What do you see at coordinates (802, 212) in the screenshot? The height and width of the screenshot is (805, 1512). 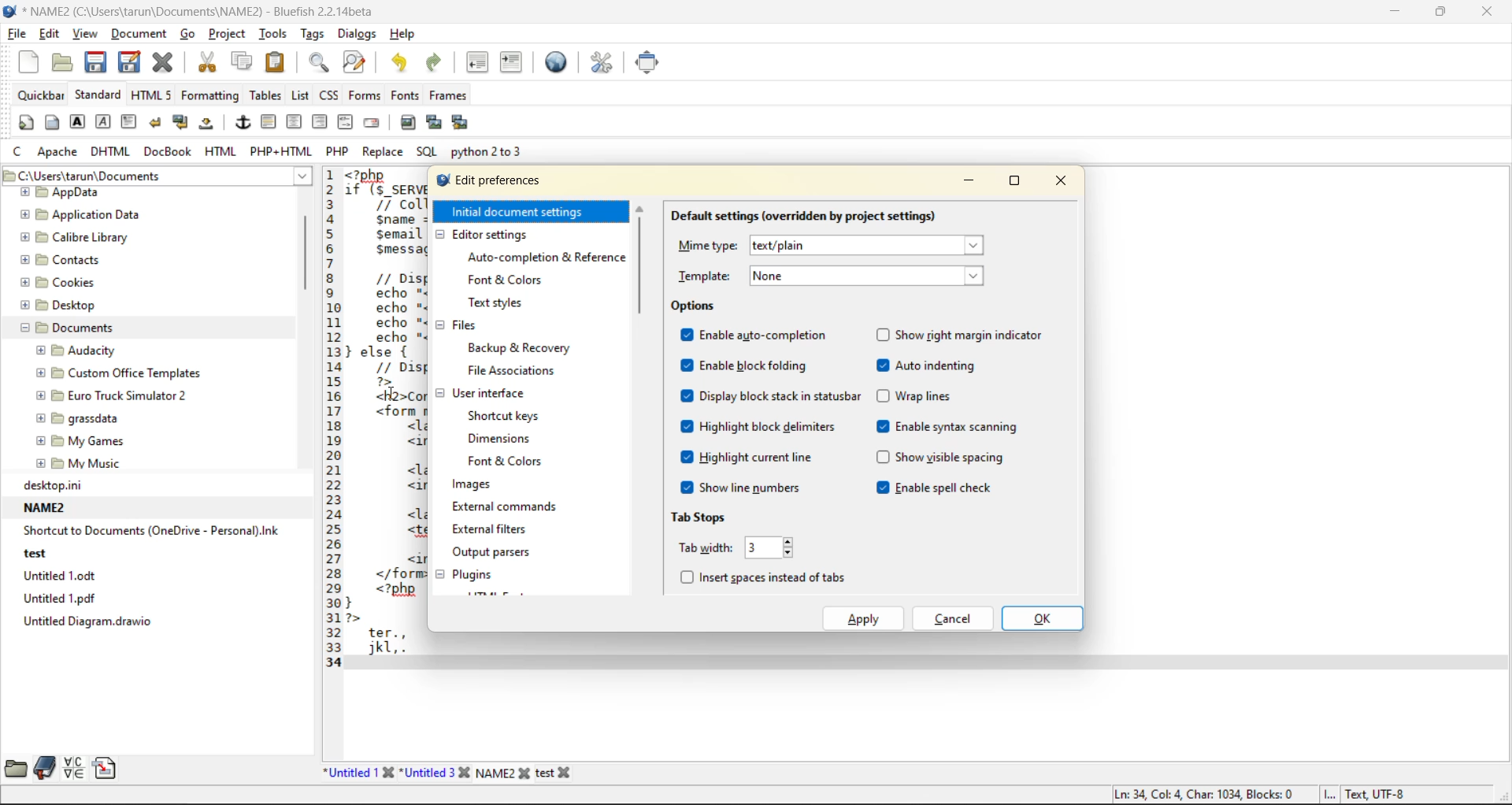 I see `default settings` at bounding box center [802, 212].